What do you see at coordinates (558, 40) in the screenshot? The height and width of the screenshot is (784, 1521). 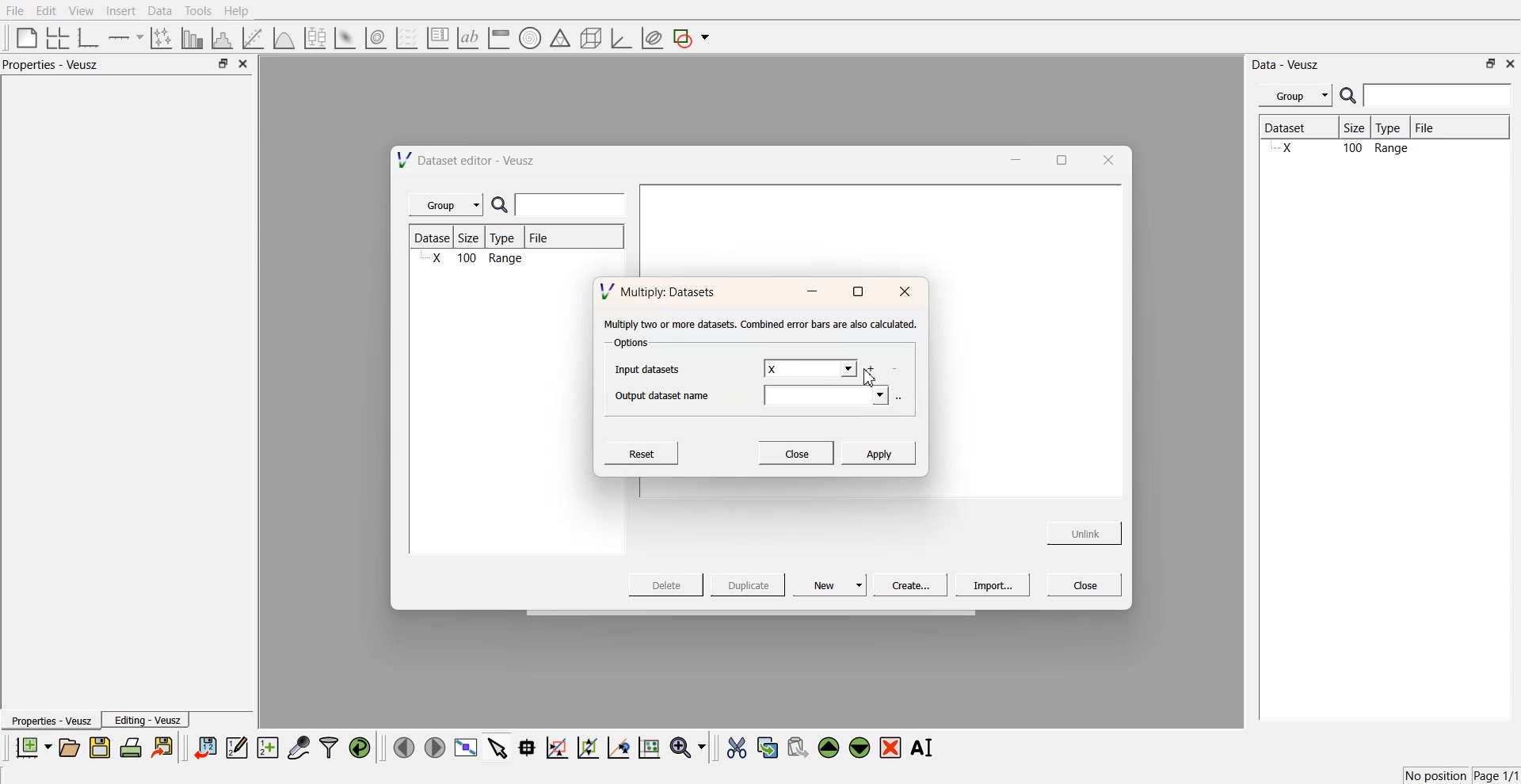 I see `ternary shapes` at bounding box center [558, 40].